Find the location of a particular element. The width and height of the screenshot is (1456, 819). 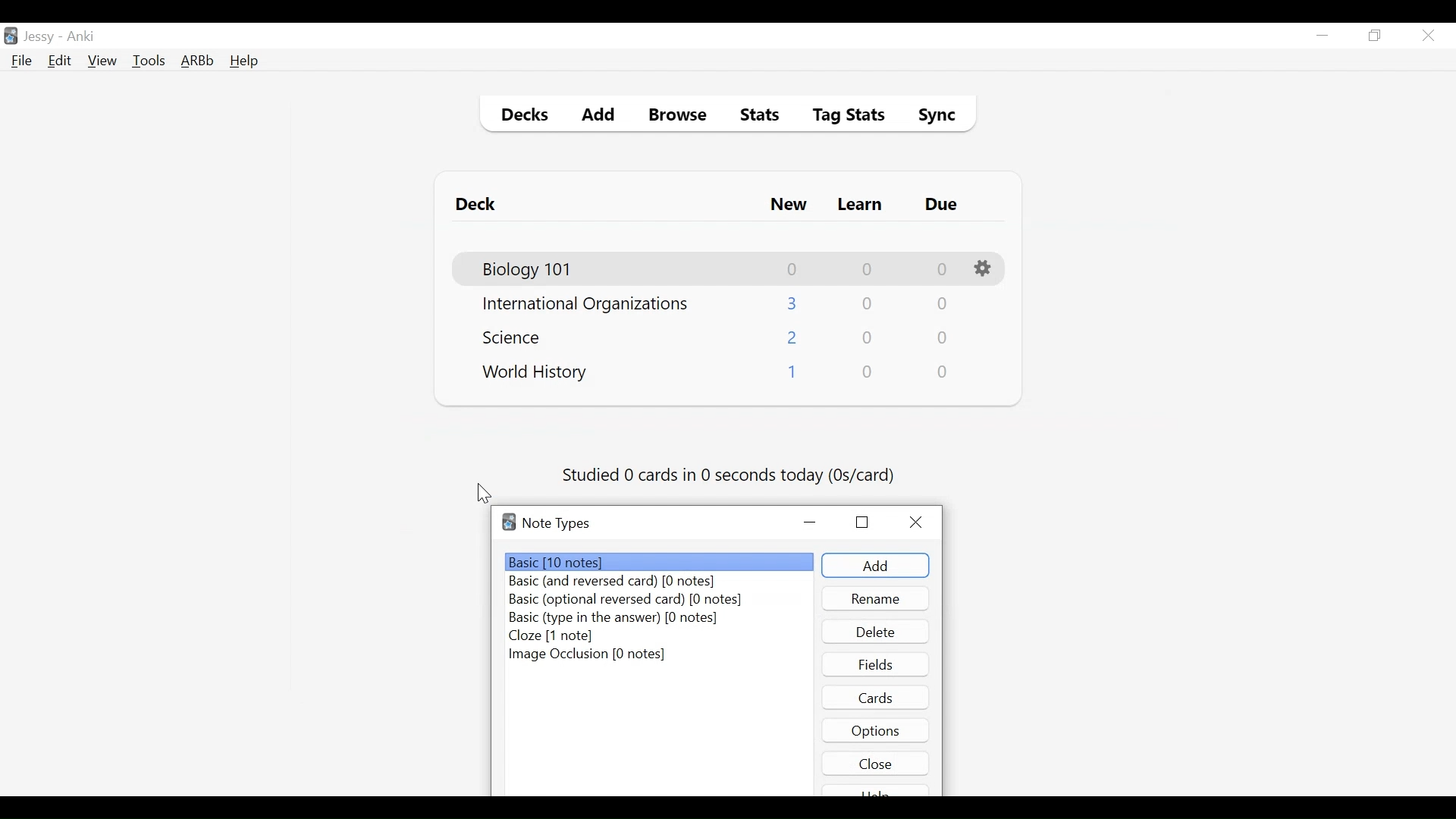

Restore is located at coordinates (1376, 36).